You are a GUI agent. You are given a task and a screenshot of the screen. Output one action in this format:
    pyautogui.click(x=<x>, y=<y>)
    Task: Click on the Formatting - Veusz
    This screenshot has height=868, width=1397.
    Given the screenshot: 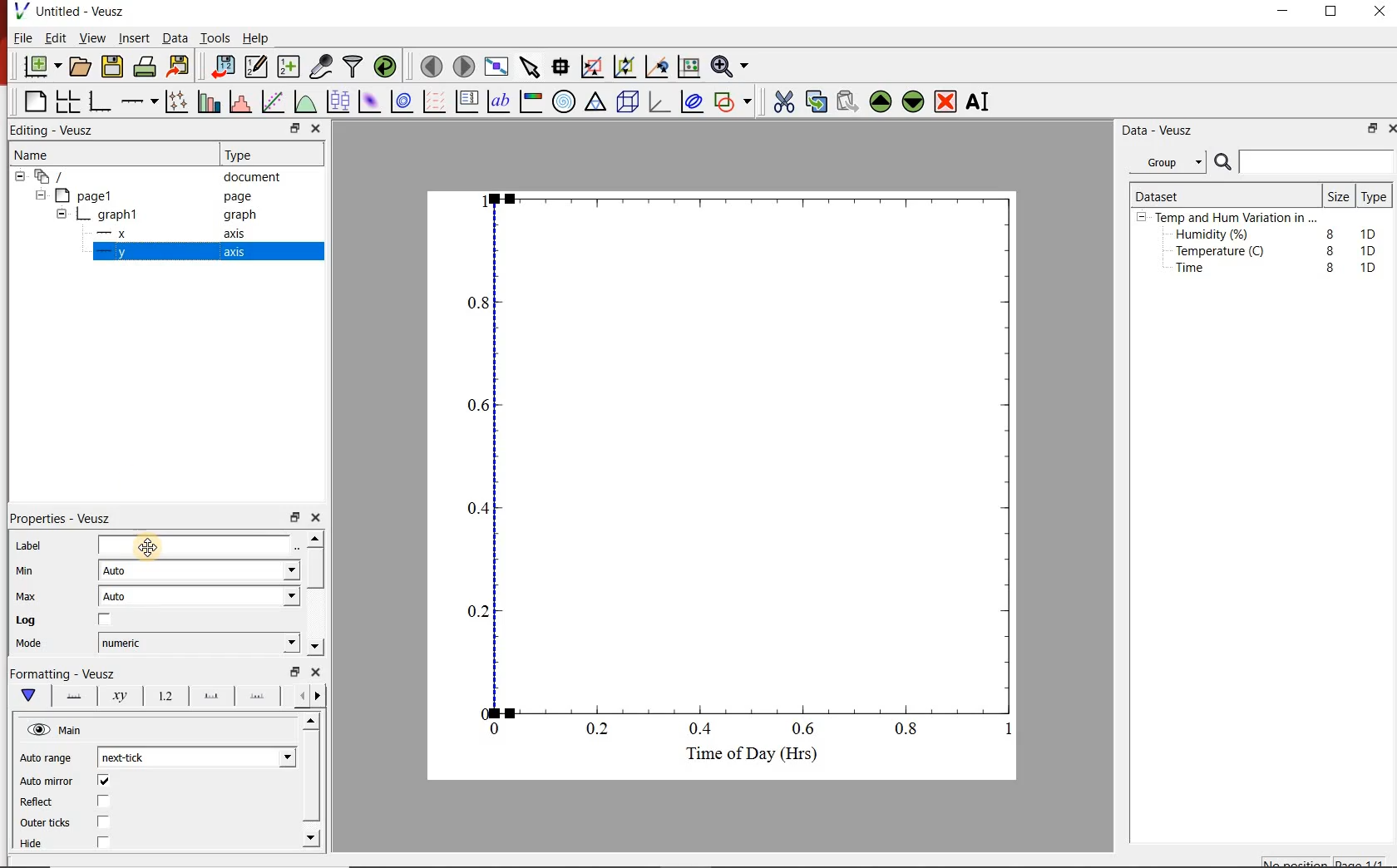 What is the action you would take?
    pyautogui.click(x=67, y=675)
    